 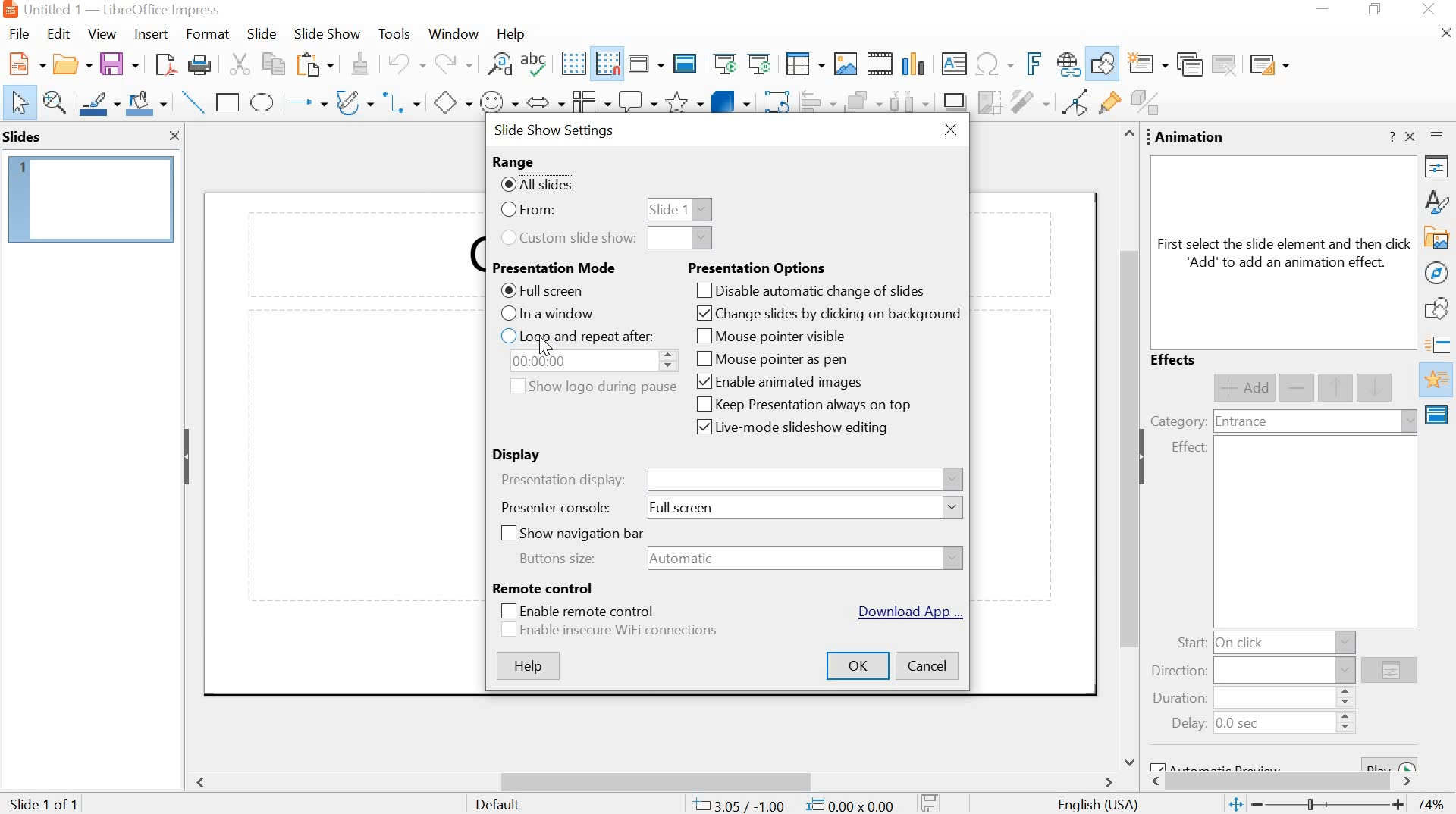 I want to click on undo, so click(x=404, y=62).